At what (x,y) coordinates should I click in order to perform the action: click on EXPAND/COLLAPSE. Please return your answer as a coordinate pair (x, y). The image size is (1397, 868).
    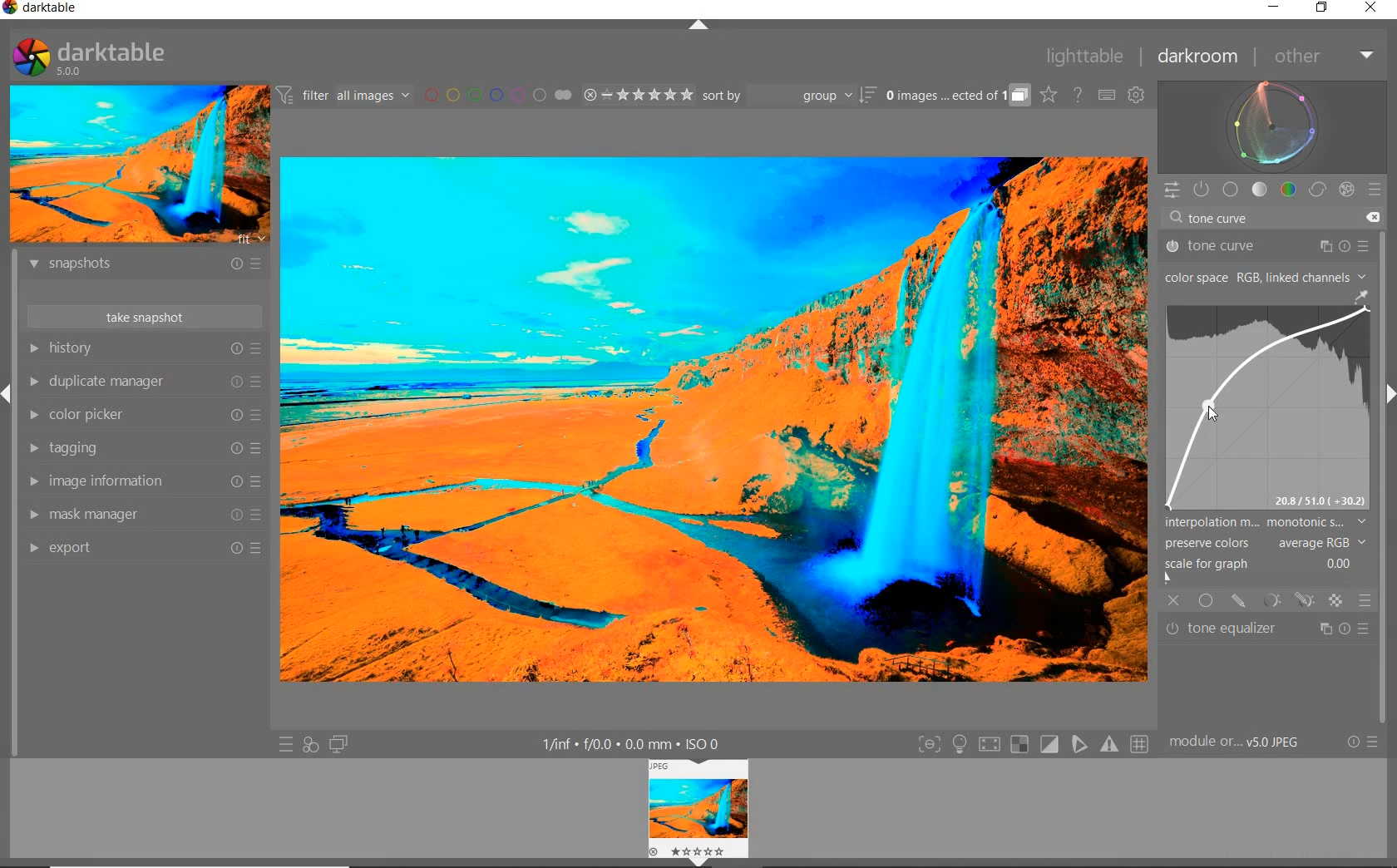
    Looking at the image, I should click on (700, 28).